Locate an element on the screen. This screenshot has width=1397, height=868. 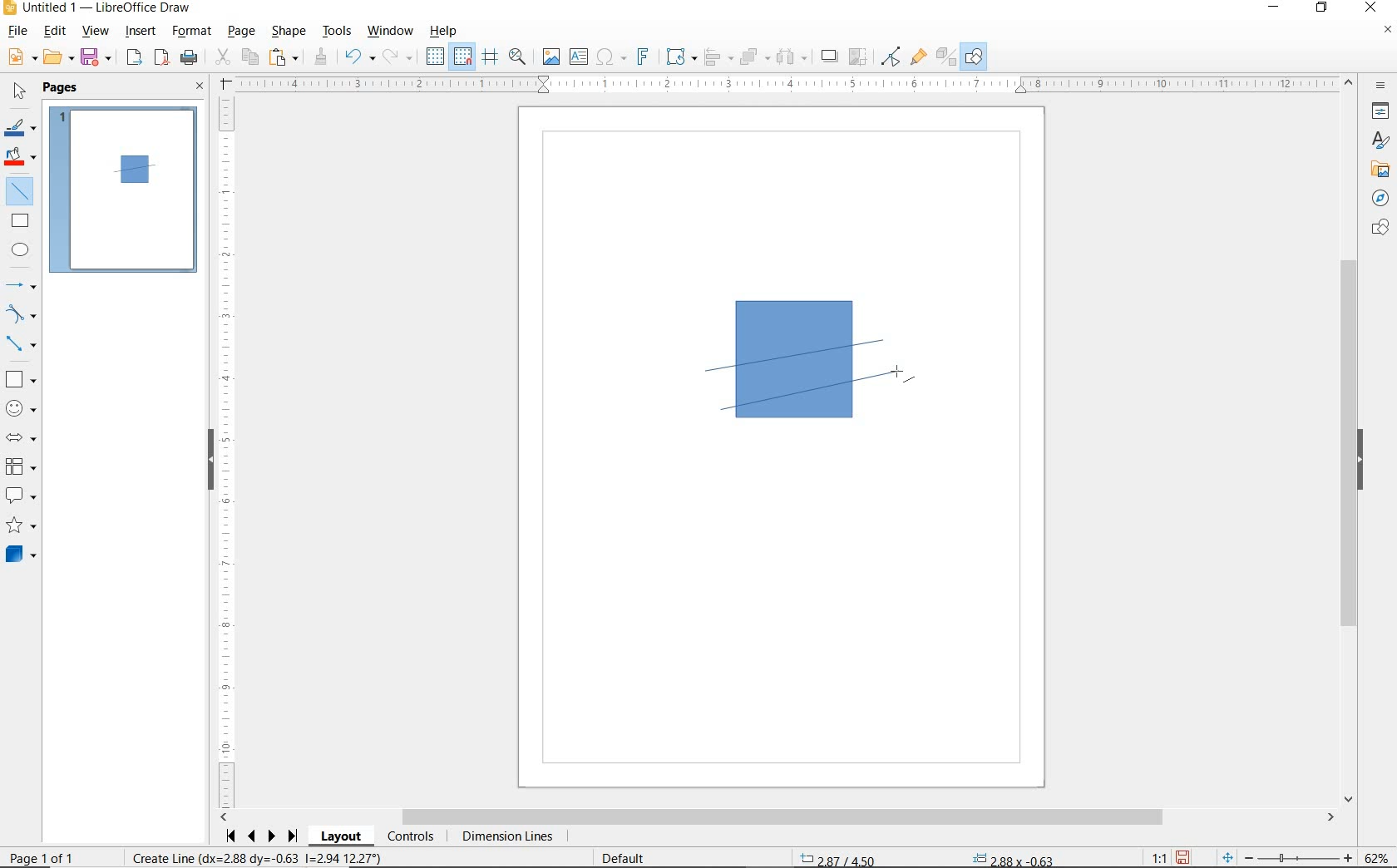
STYLES is located at coordinates (1376, 141).